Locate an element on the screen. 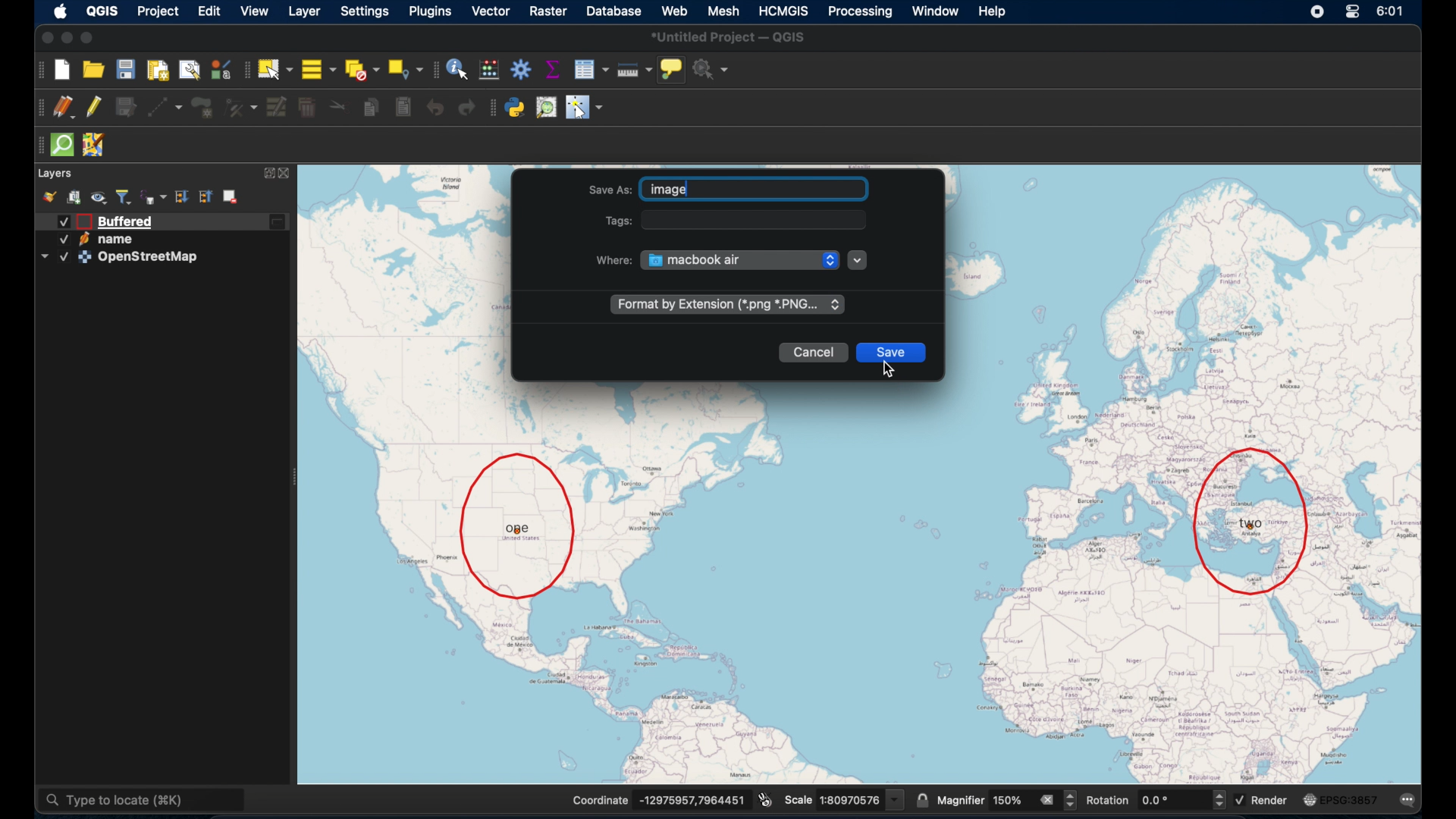 The image size is (1456, 819). Coordinate -13832896,11715938 is located at coordinates (654, 800).